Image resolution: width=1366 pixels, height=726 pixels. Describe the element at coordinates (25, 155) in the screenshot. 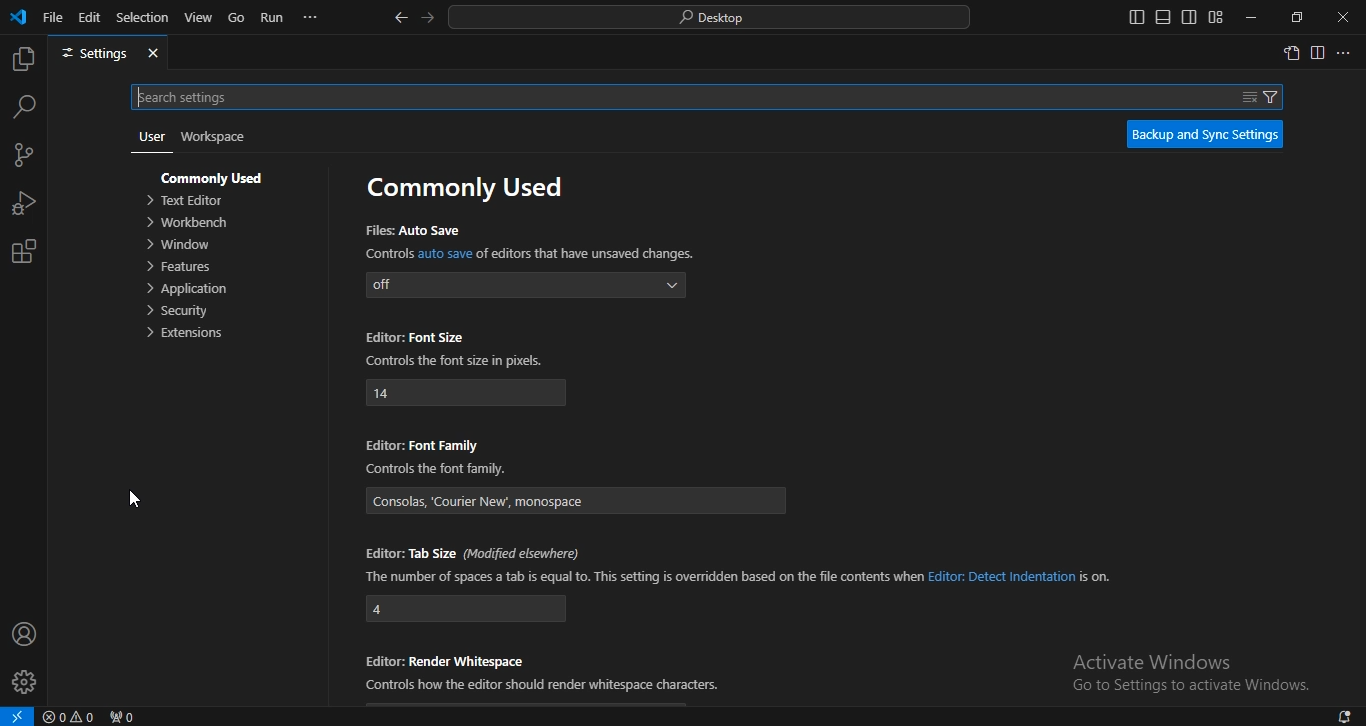

I see `source control` at that location.